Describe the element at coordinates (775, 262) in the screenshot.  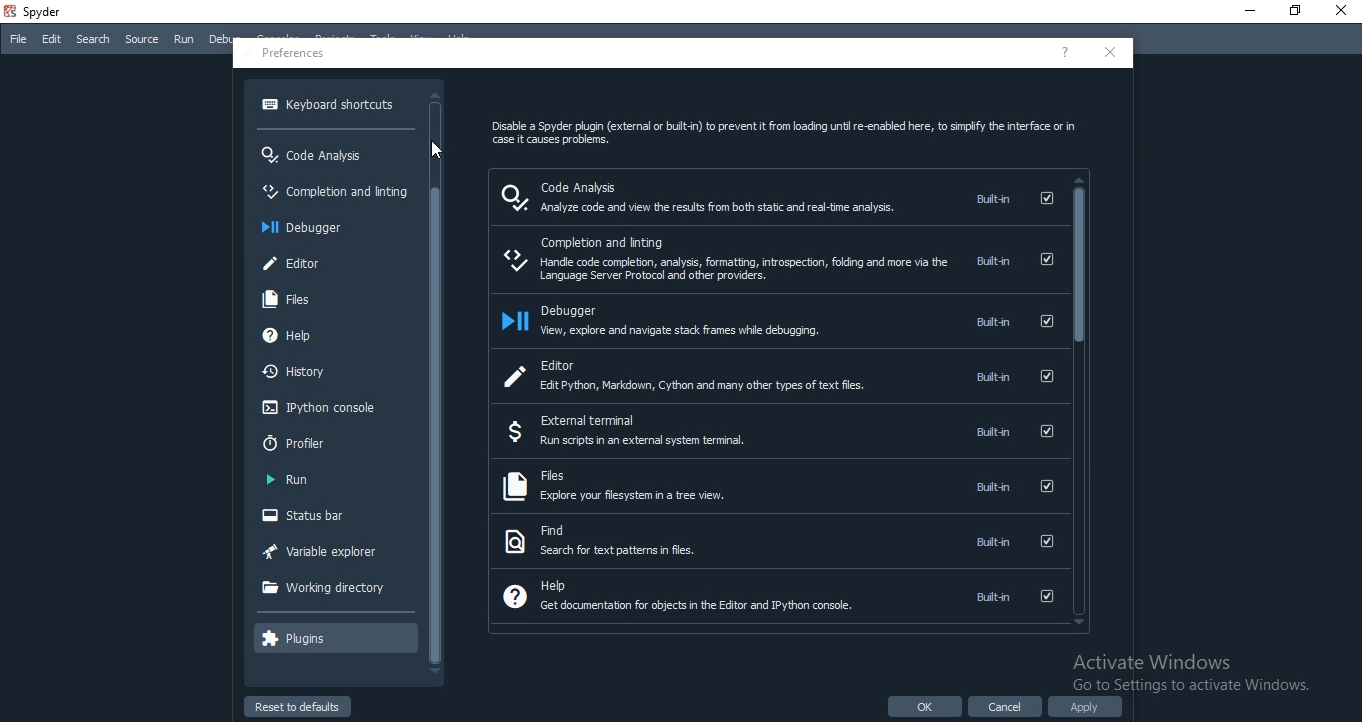
I see `completion and linting` at that location.